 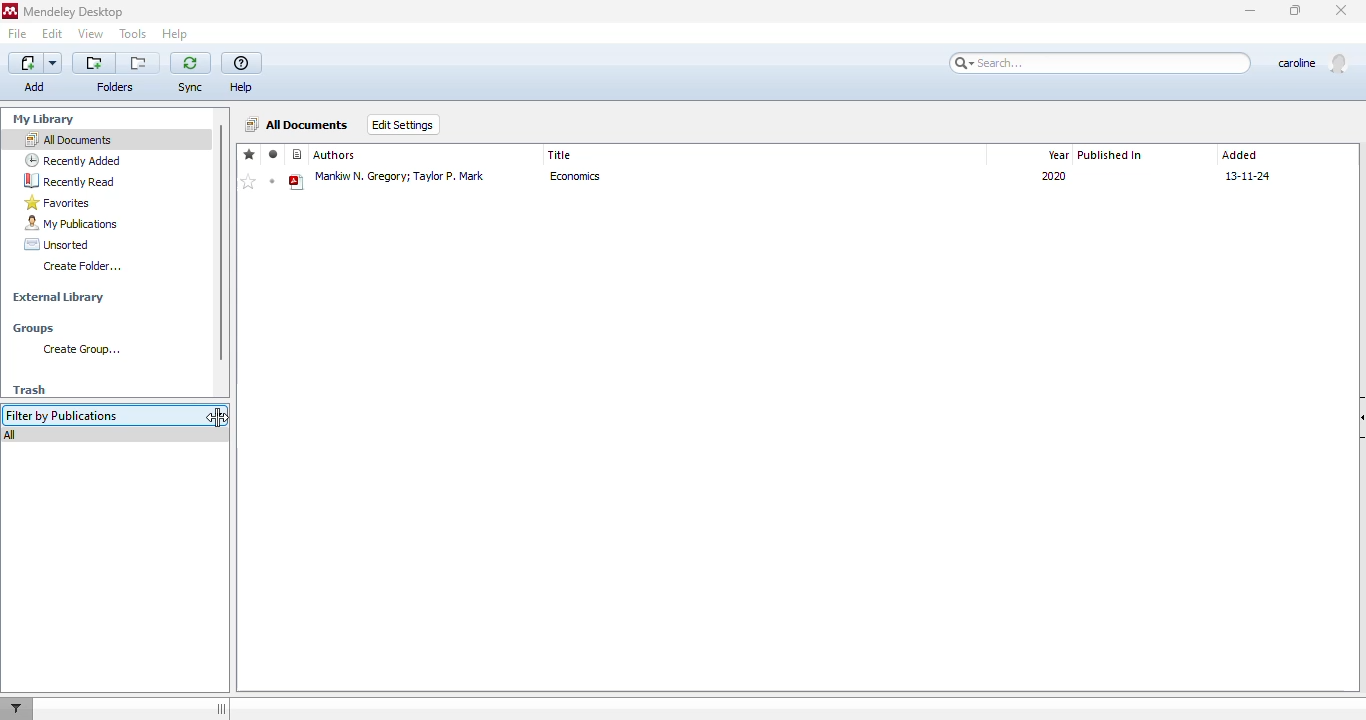 What do you see at coordinates (250, 154) in the screenshot?
I see `favorites` at bounding box center [250, 154].